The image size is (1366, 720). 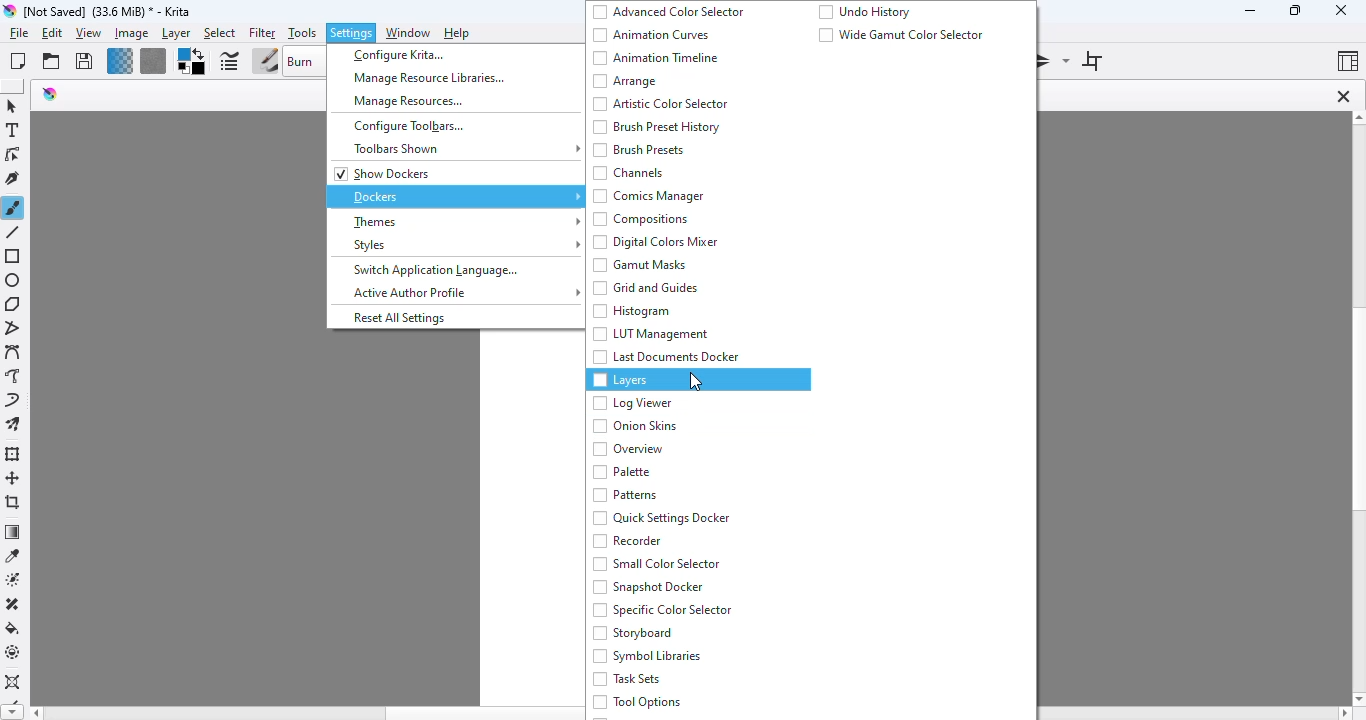 I want to click on ellipse tool, so click(x=13, y=280).